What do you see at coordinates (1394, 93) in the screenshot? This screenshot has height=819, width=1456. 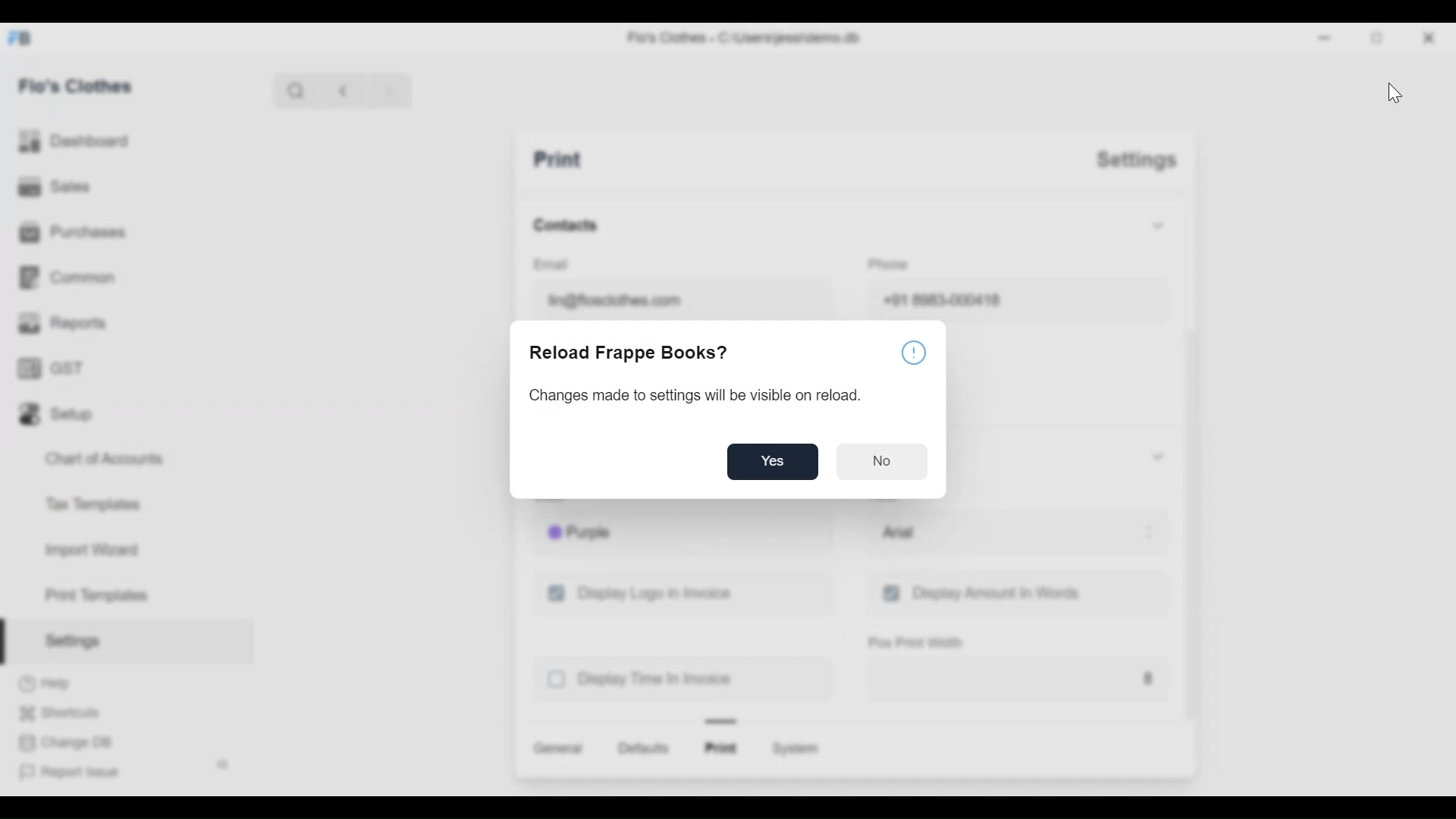 I see `cursor` at bounding box center [1394, 93].